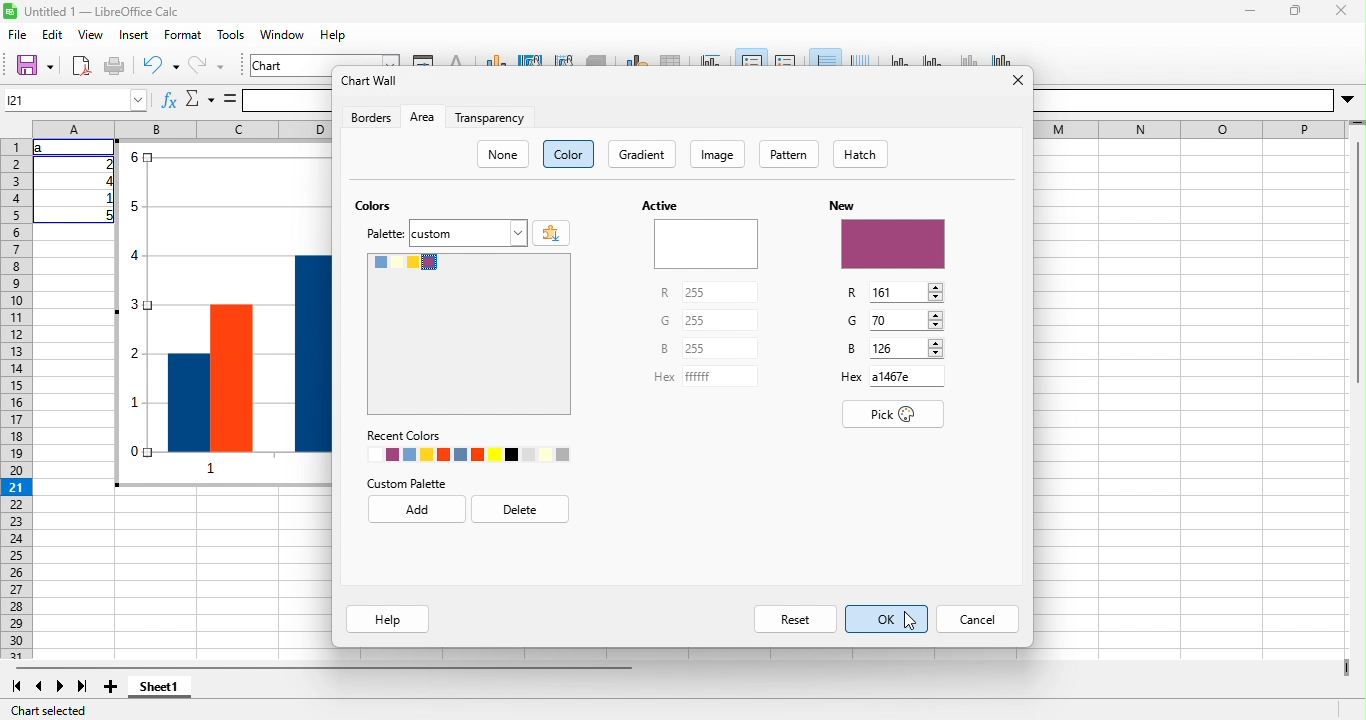 This screenshot has height=720, width=1366. I want to click on view, so click(91, 34).